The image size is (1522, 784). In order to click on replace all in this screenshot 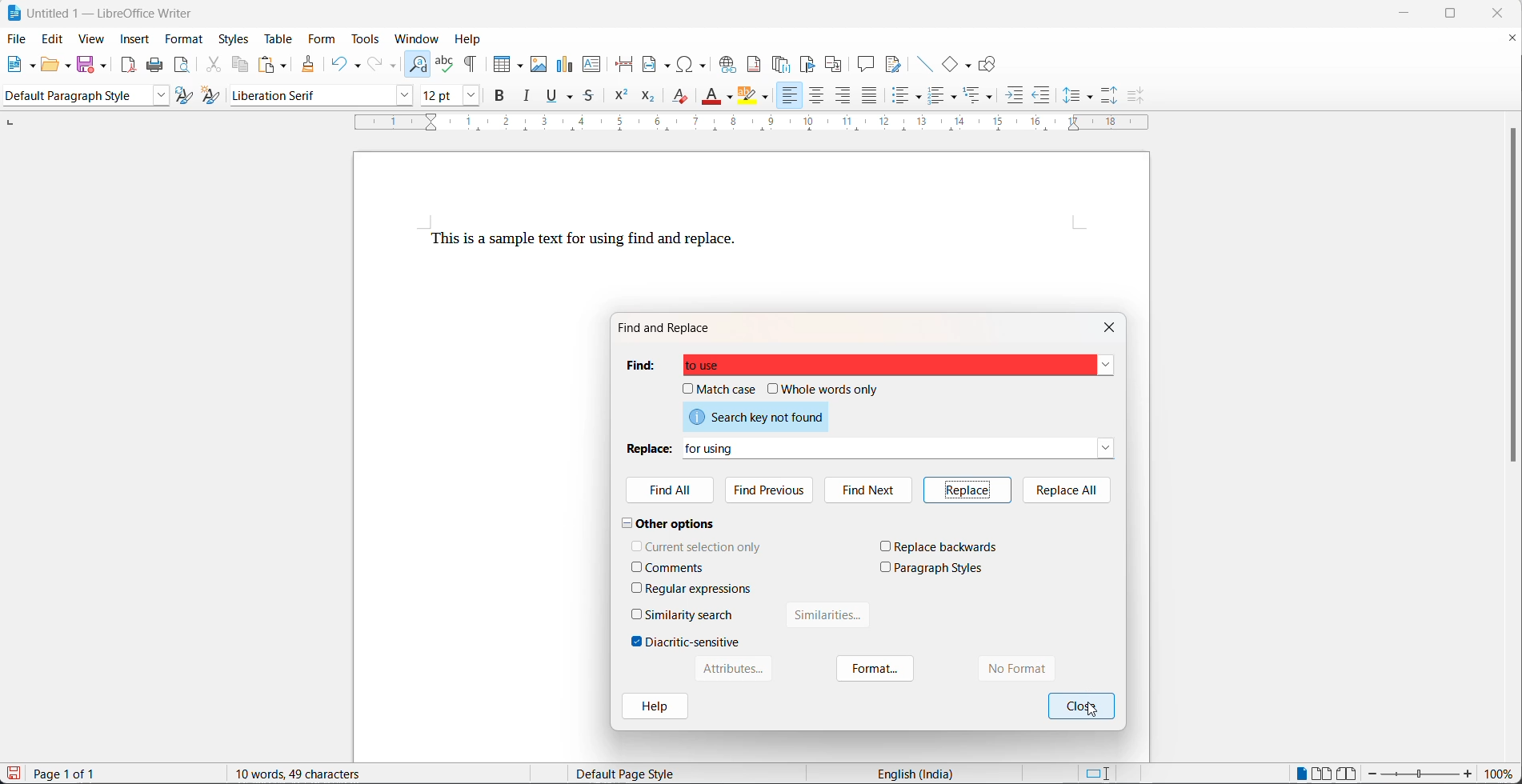, I will do `click(1067, 489)`.